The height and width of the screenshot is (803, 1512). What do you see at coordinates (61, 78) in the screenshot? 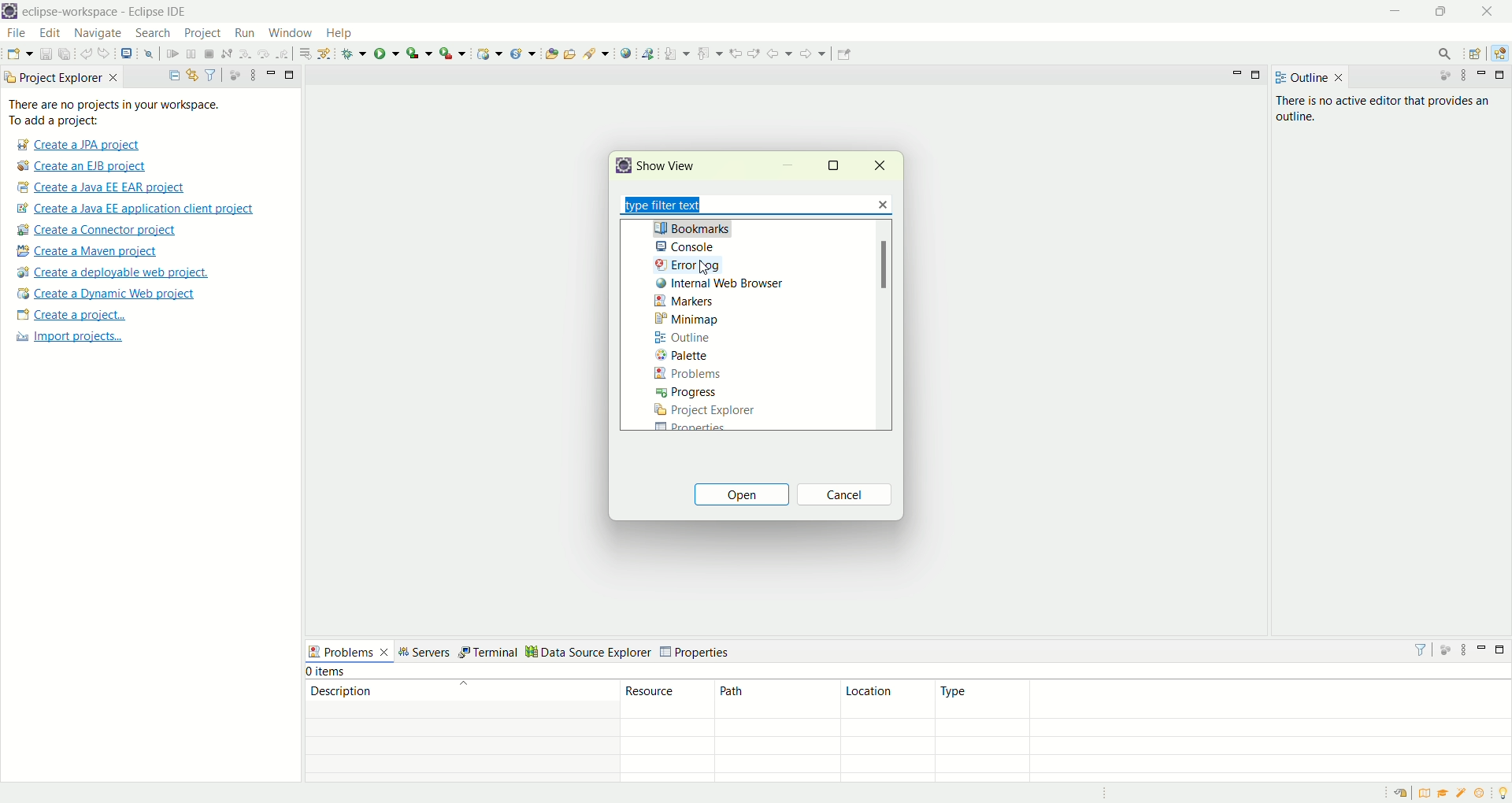
I see `project explorer` at bounding box center [61, 78].